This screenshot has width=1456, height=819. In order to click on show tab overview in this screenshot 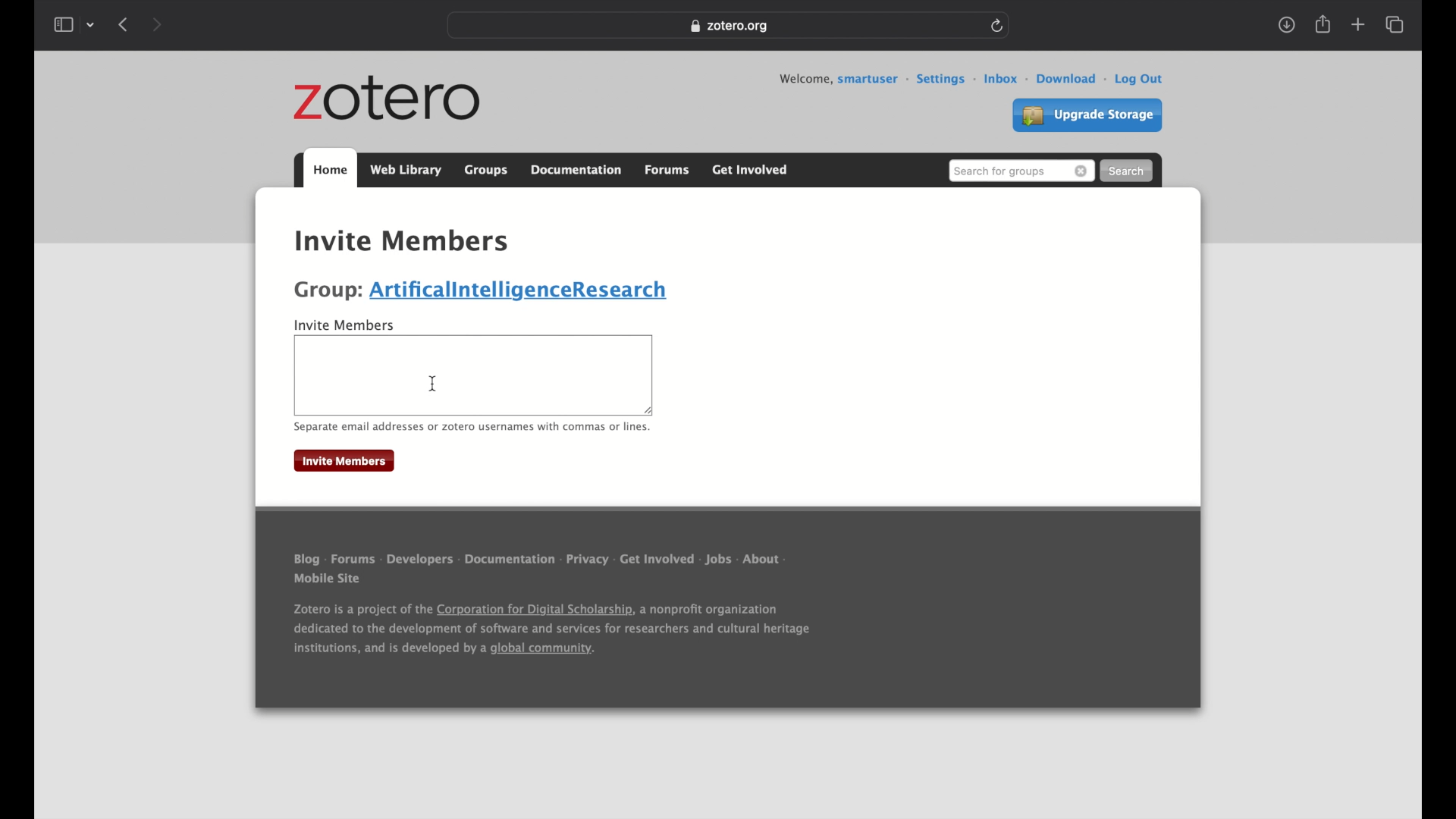, I will do `click(1396, 25)`.